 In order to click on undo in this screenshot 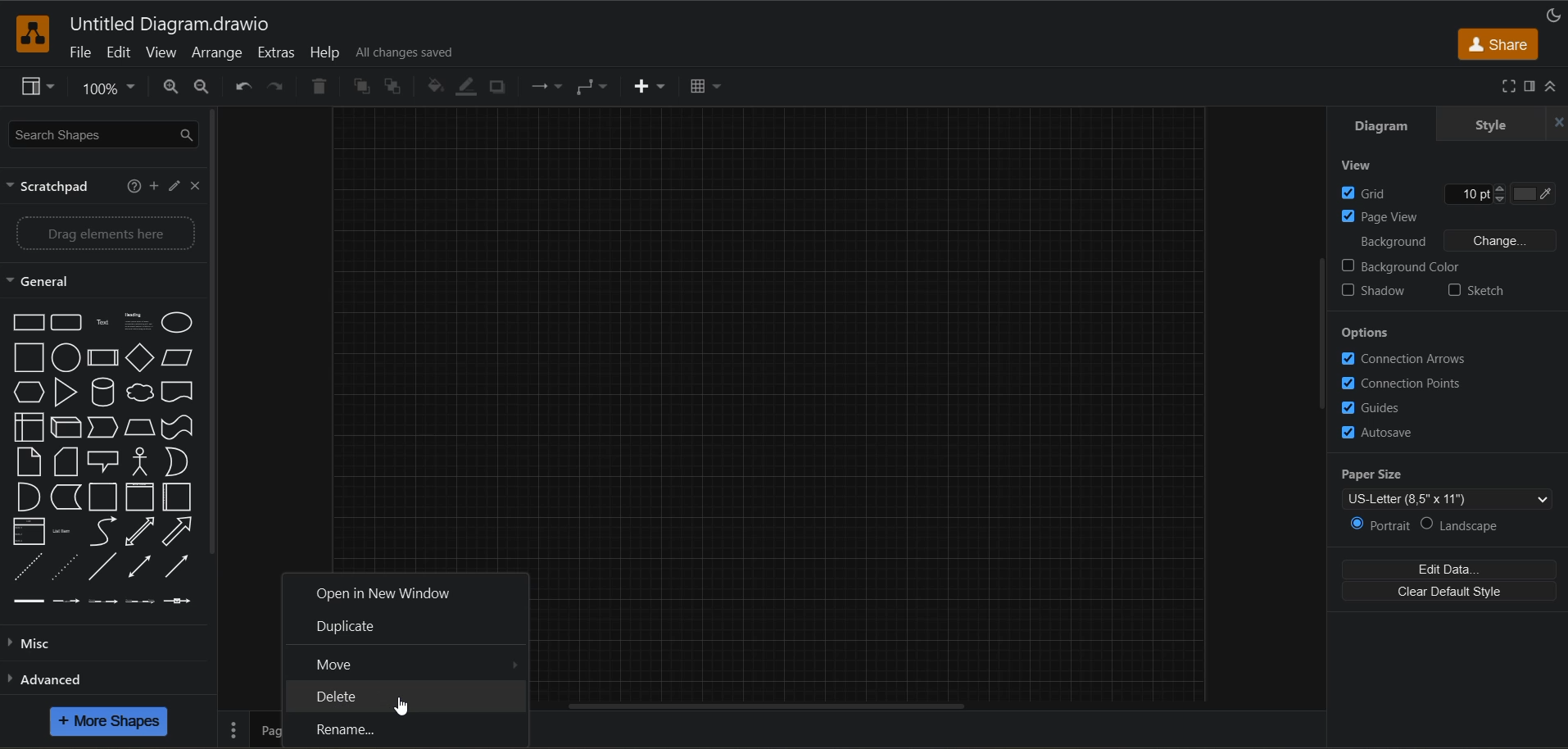, I will do `click(243, 88)`.